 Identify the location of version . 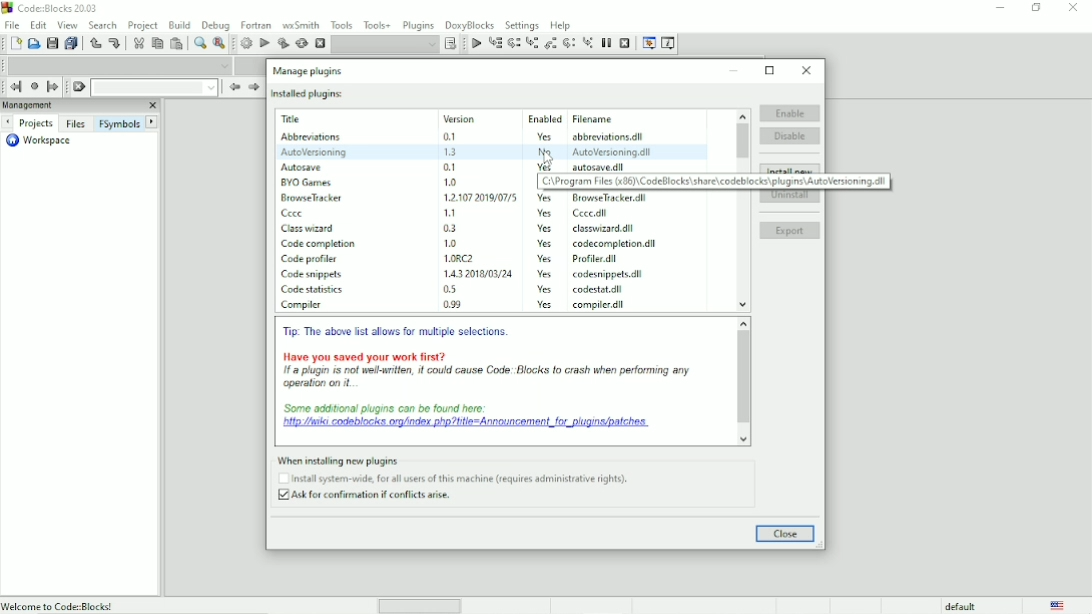
(448, 242).